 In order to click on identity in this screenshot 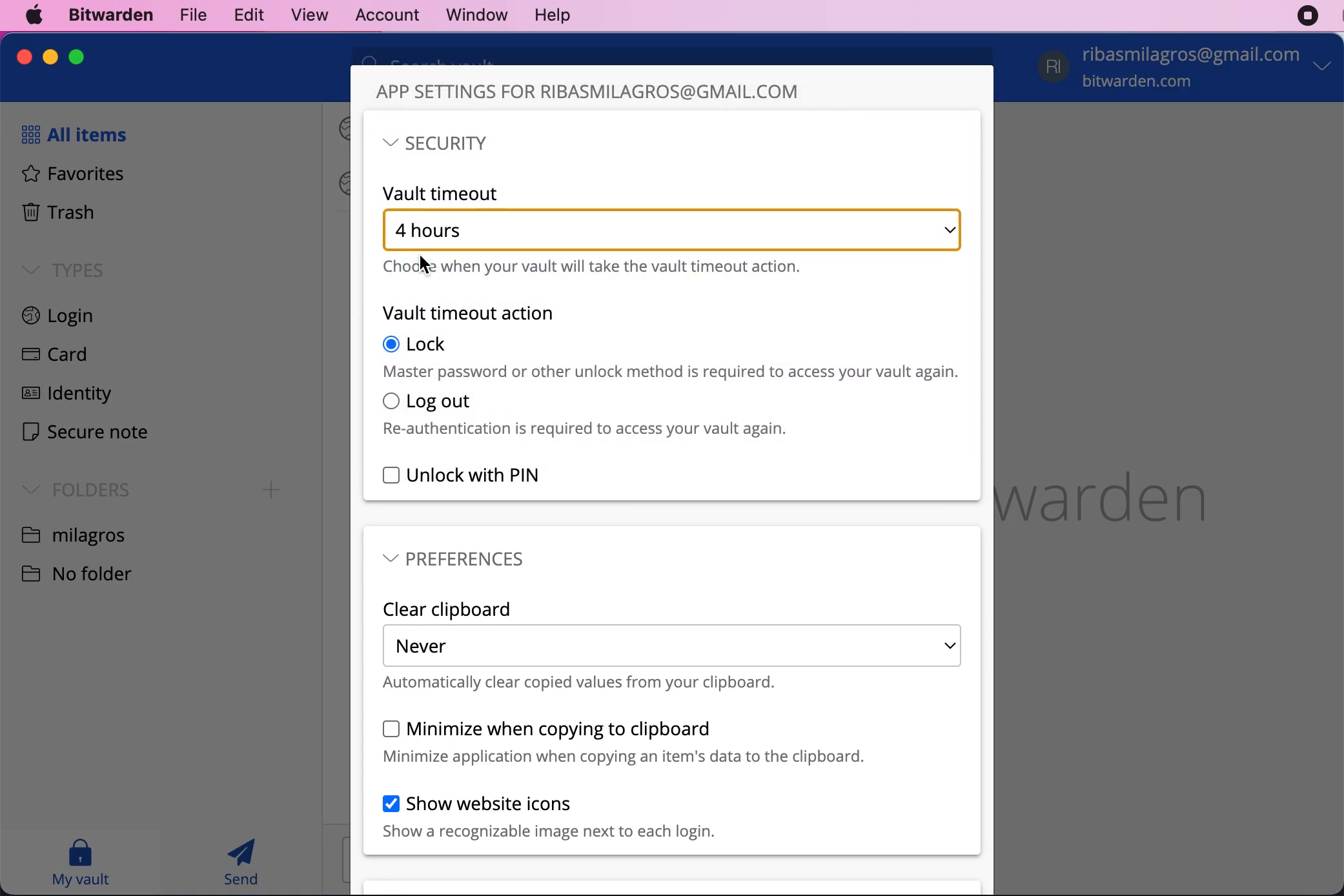, I will do `click(63, 396)`.